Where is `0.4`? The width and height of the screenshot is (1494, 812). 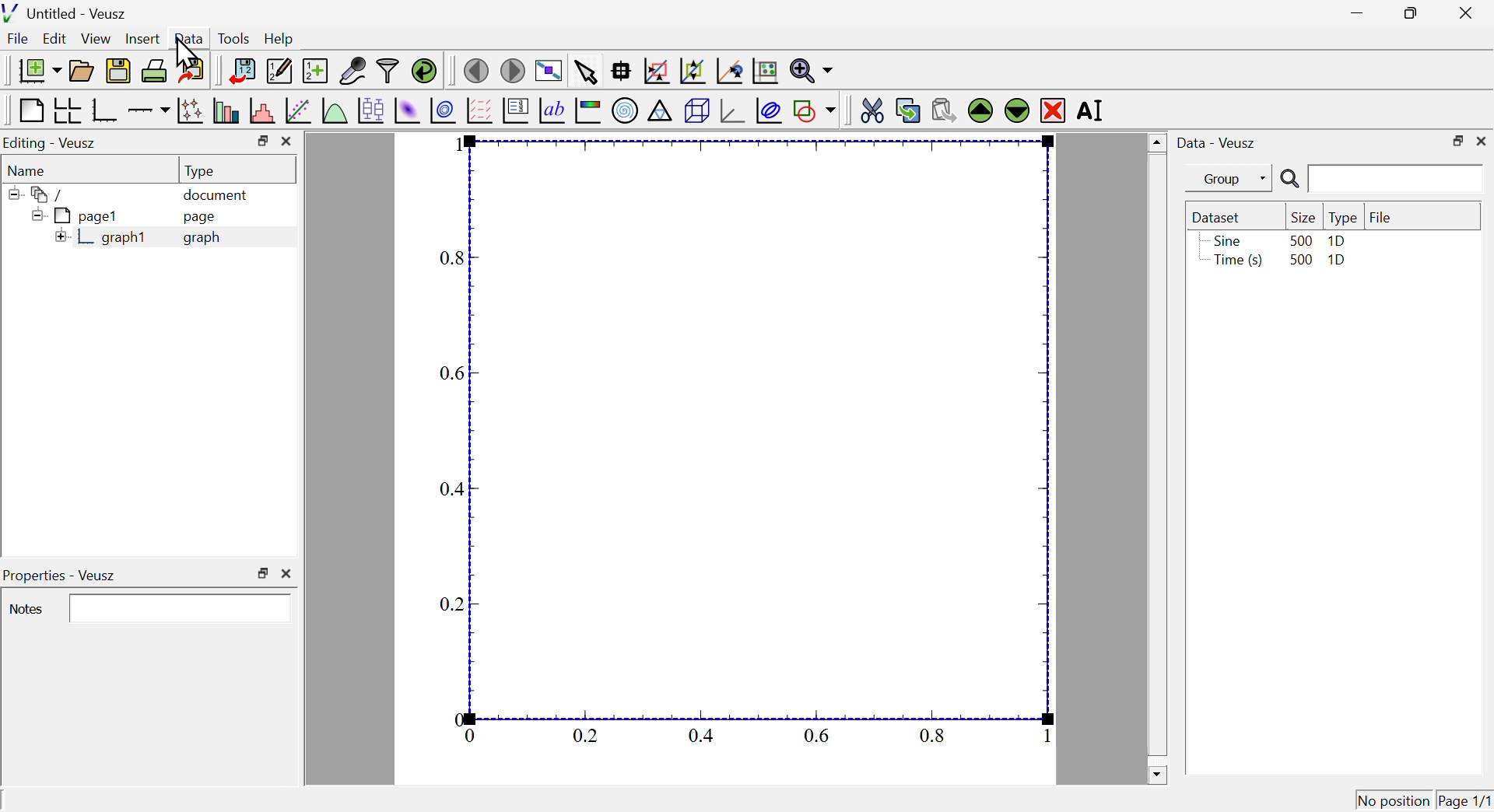 0.4 is located at coordinates (450, 489).